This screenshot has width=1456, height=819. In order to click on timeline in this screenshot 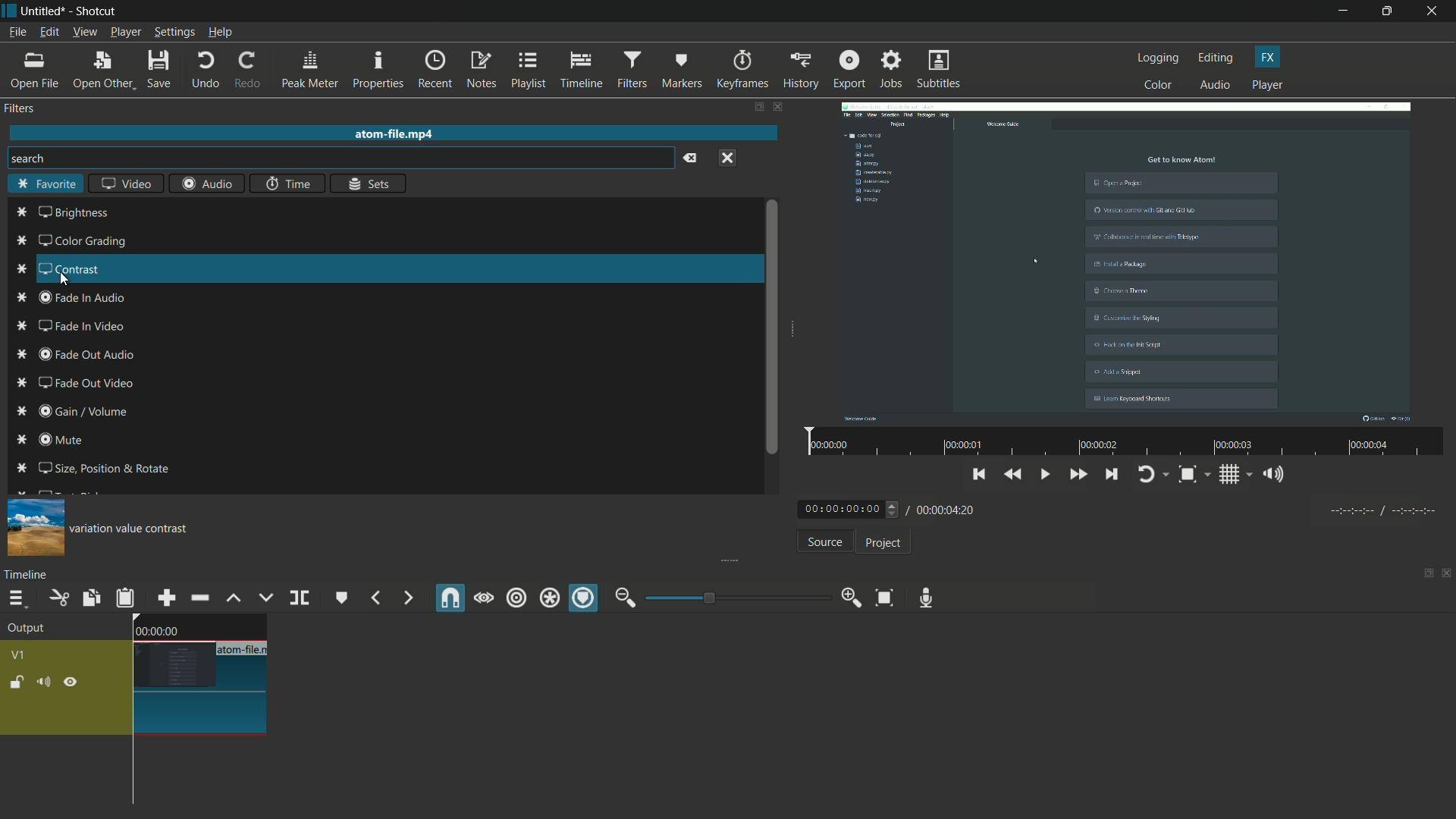, I will do `click(29, 574)`.